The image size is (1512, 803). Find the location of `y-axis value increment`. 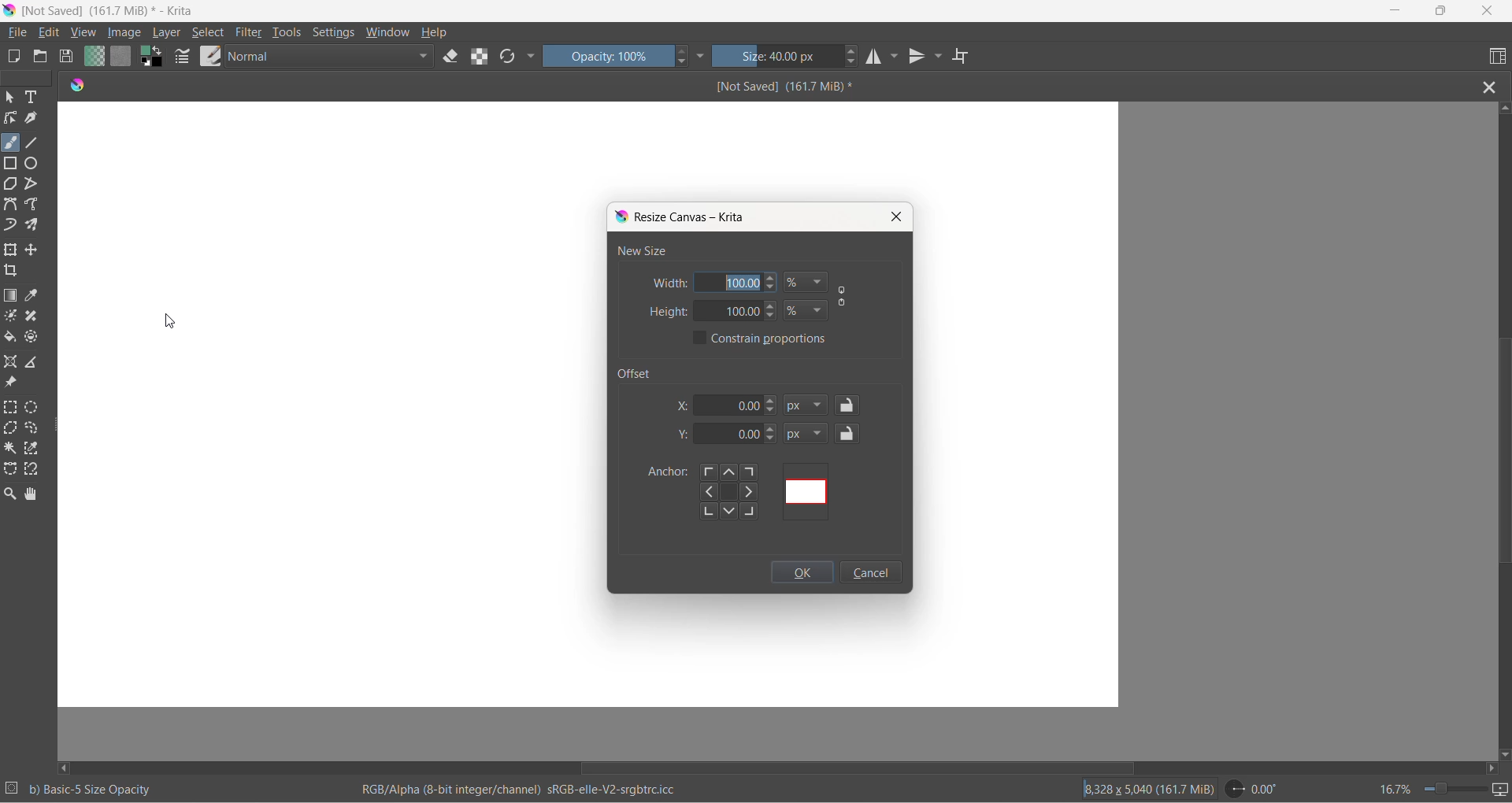

y-axis value increment is located at coordinates (773, 428).